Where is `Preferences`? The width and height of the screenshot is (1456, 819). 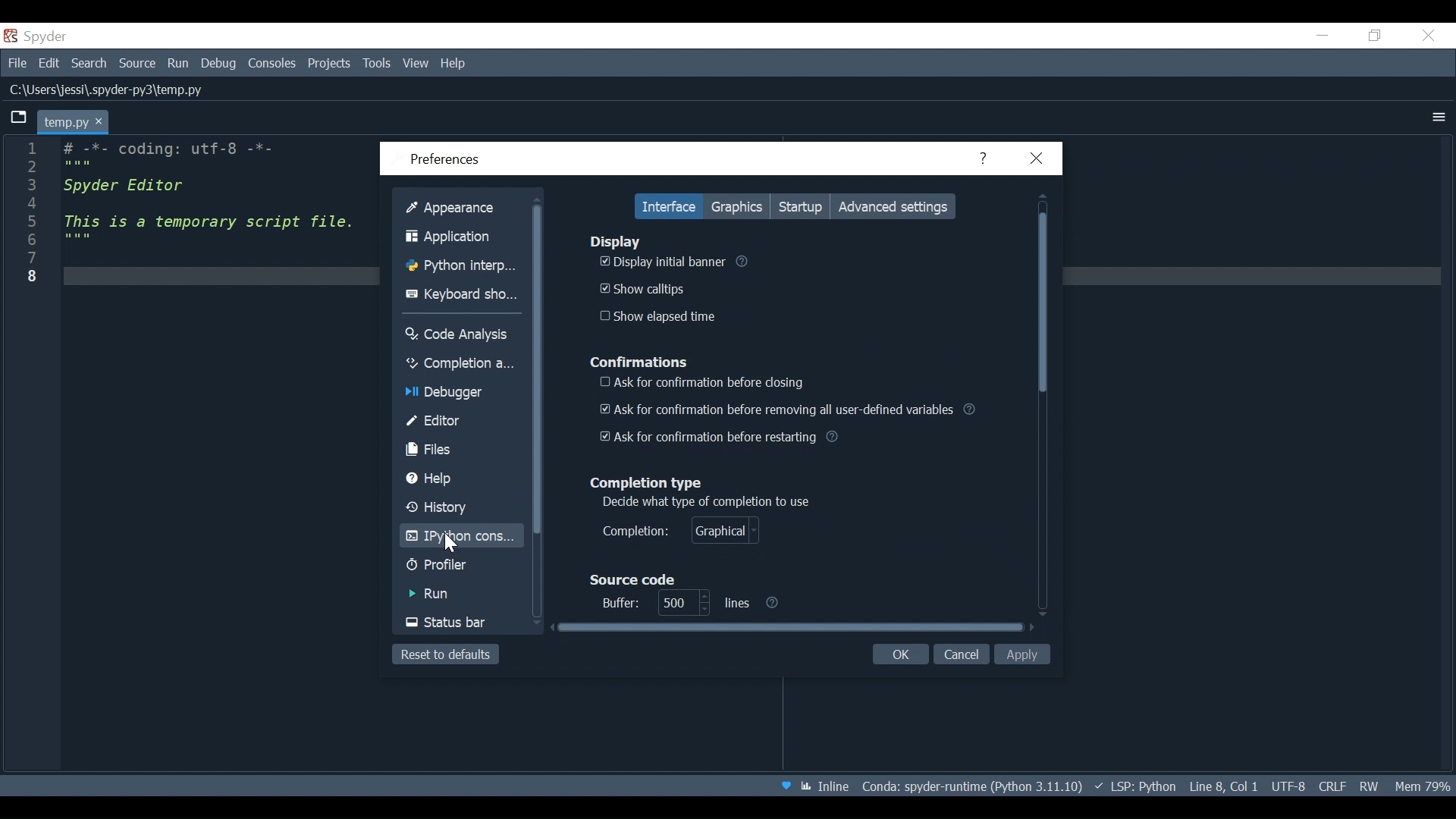 Preferences is located at coordinates (437, 159).